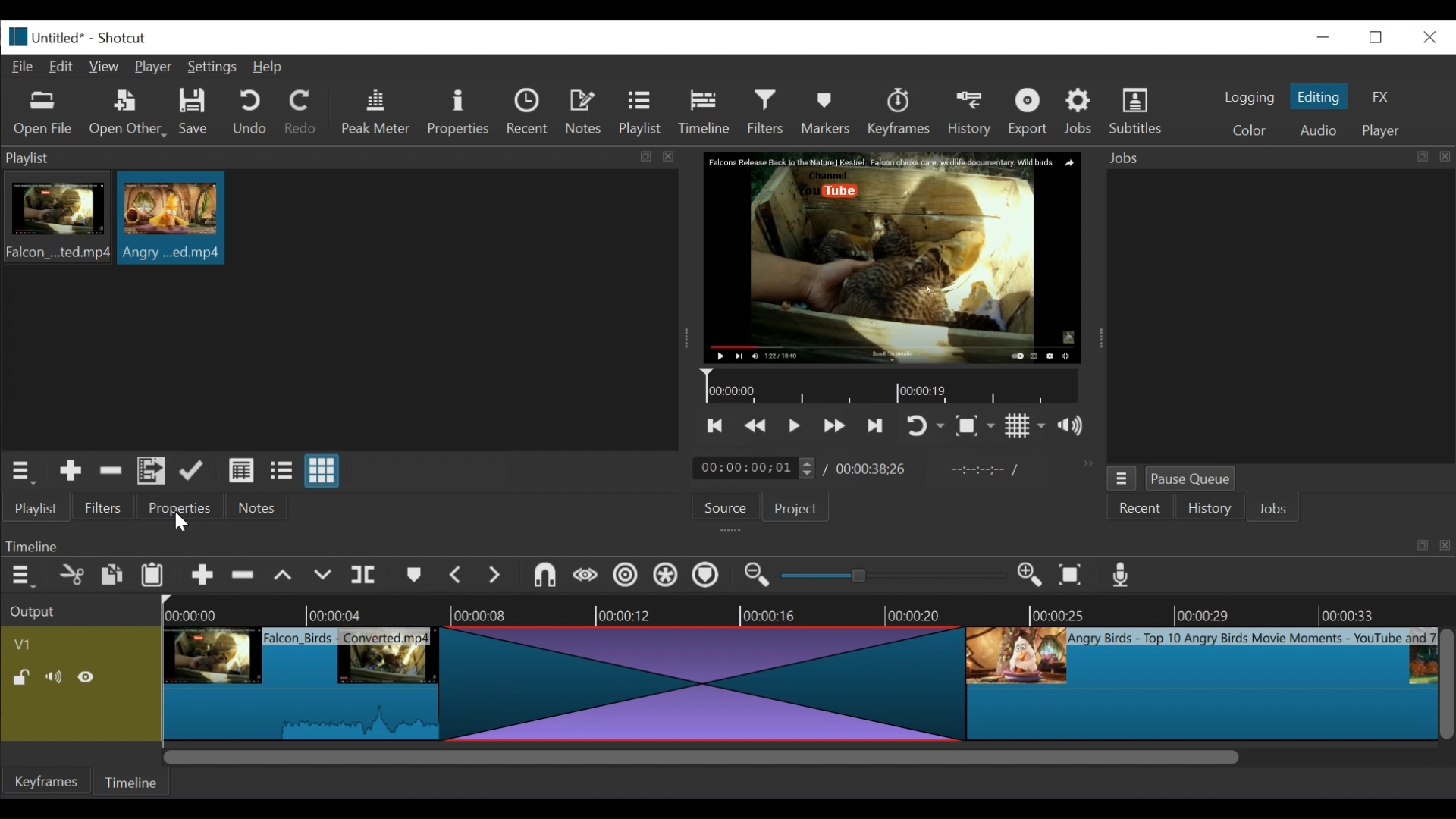 Image resolution: width=1456 pixels, height=819 pixels. I want to click on Save, so click(194, 114).